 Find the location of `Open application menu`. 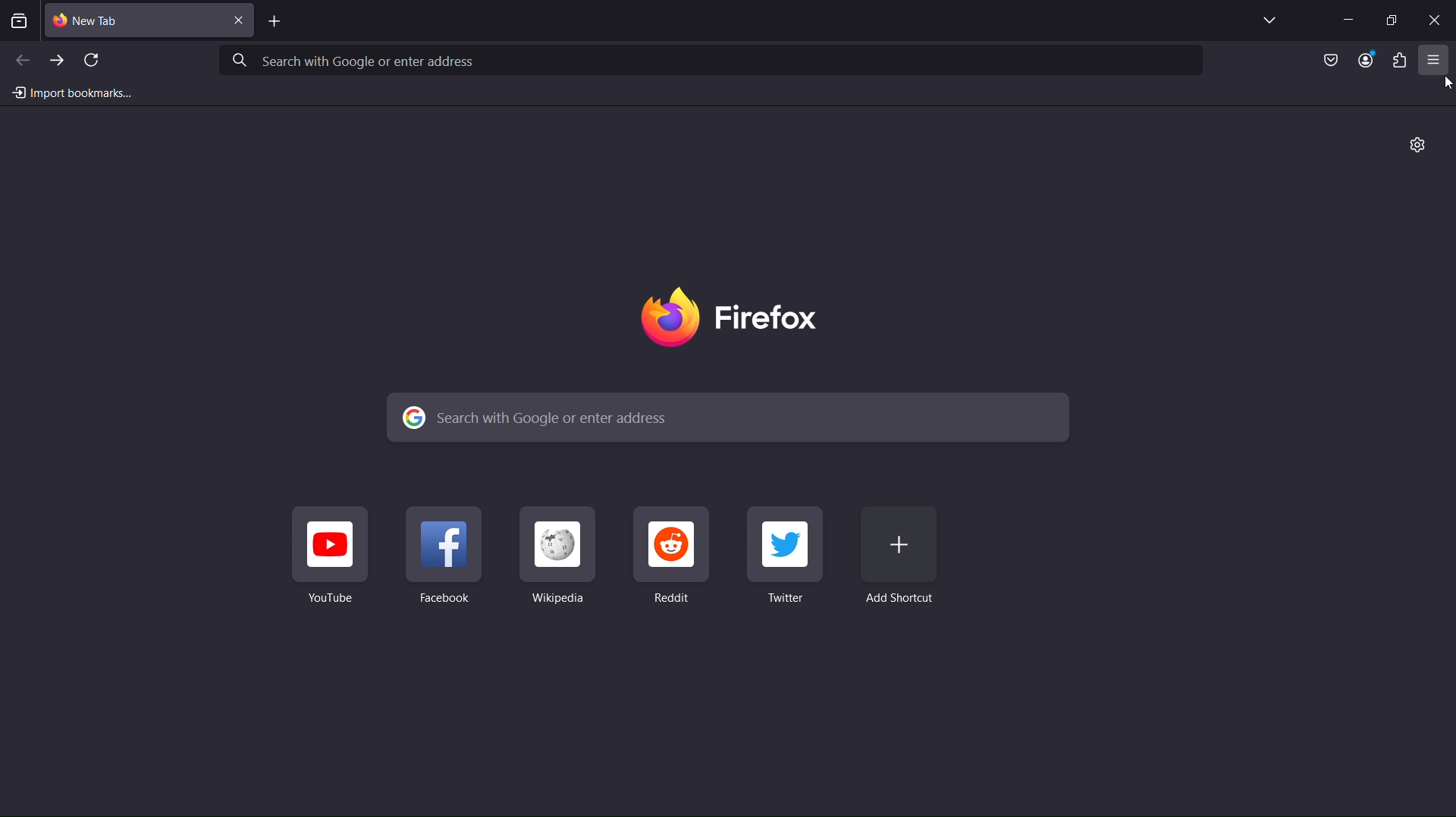

Open application menu is located at coordinates (1437, 61).